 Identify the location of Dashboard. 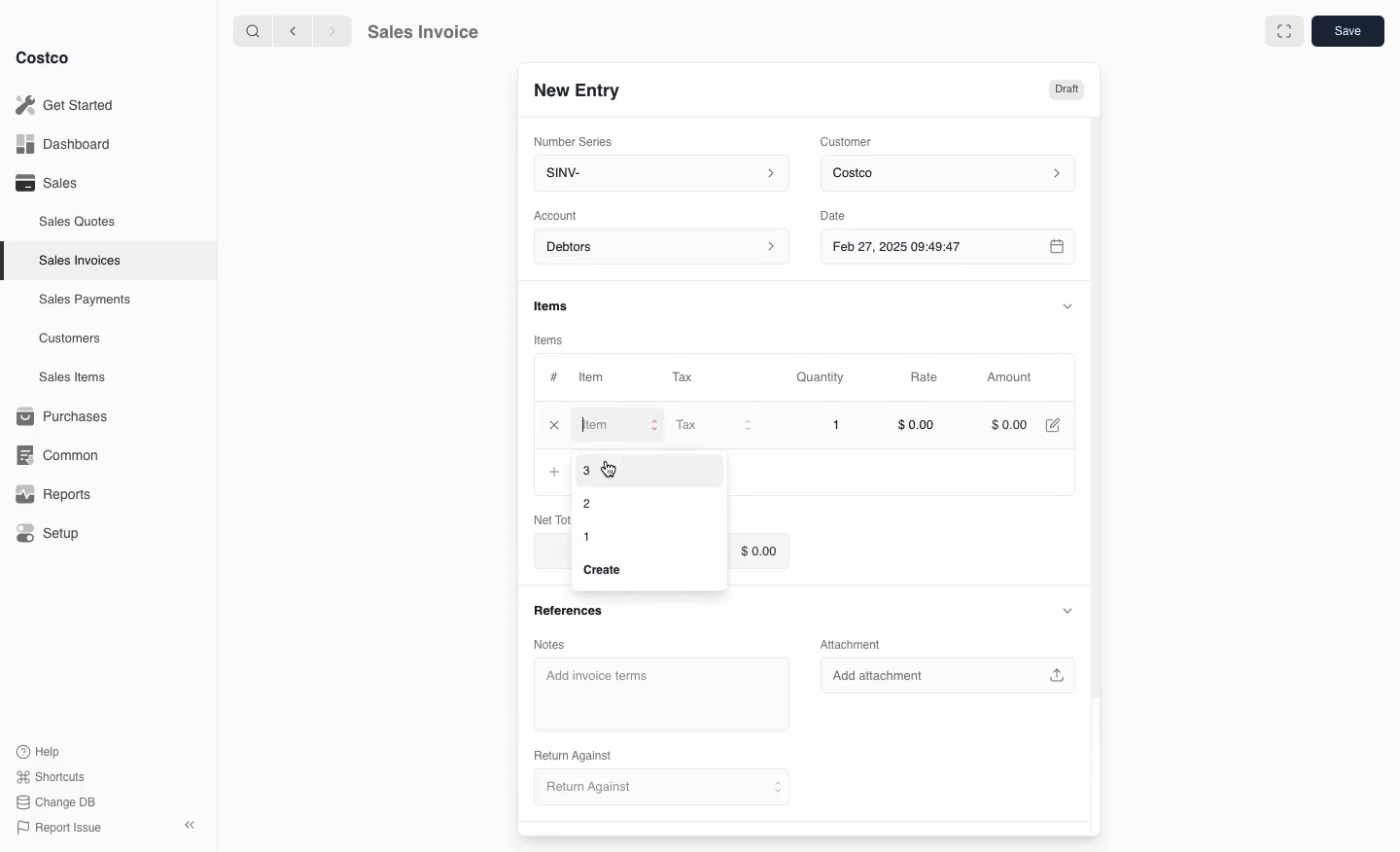
(68, 145).